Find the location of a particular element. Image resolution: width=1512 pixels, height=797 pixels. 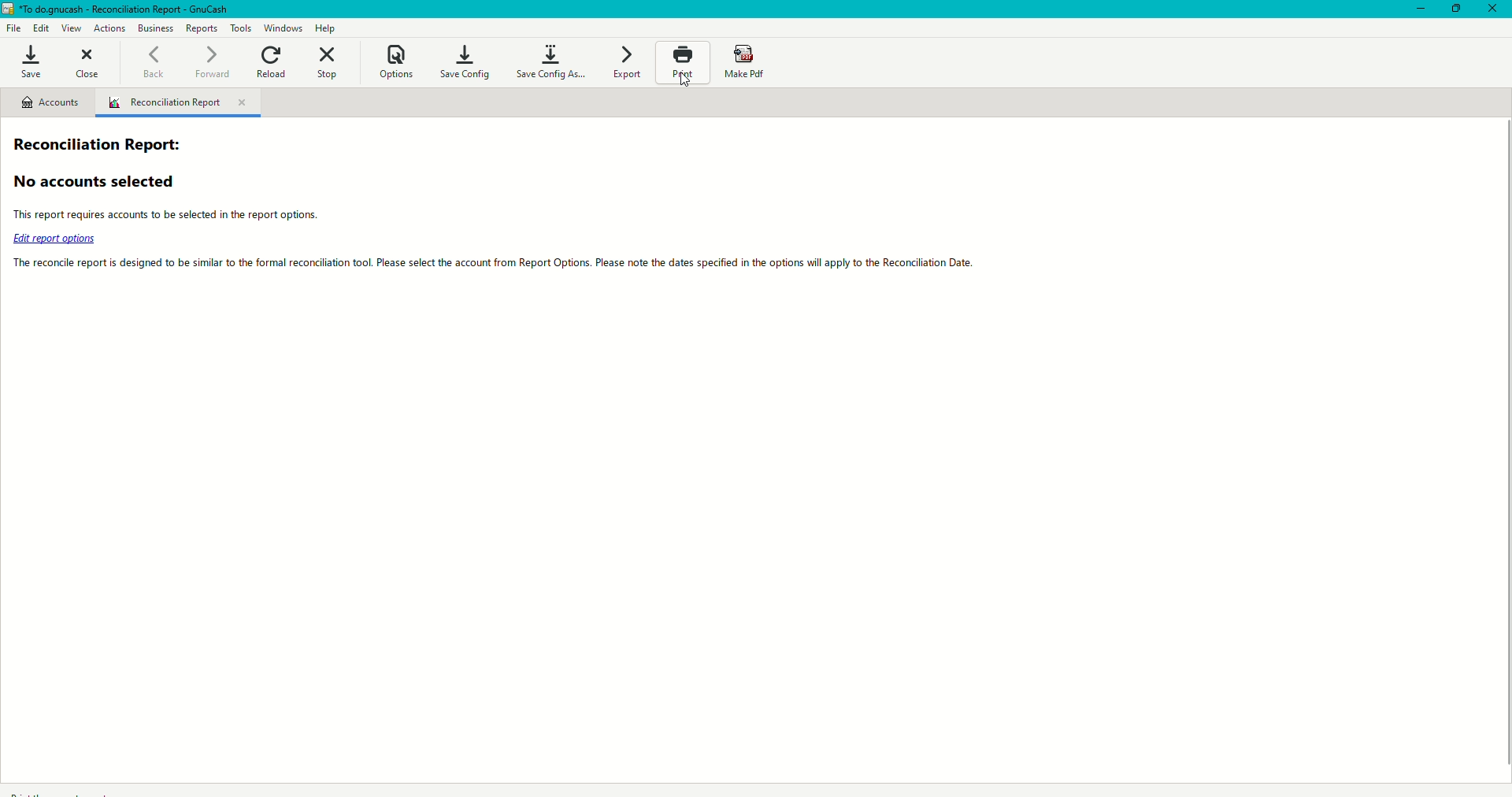

Actions is located at coordinates (109, 26).